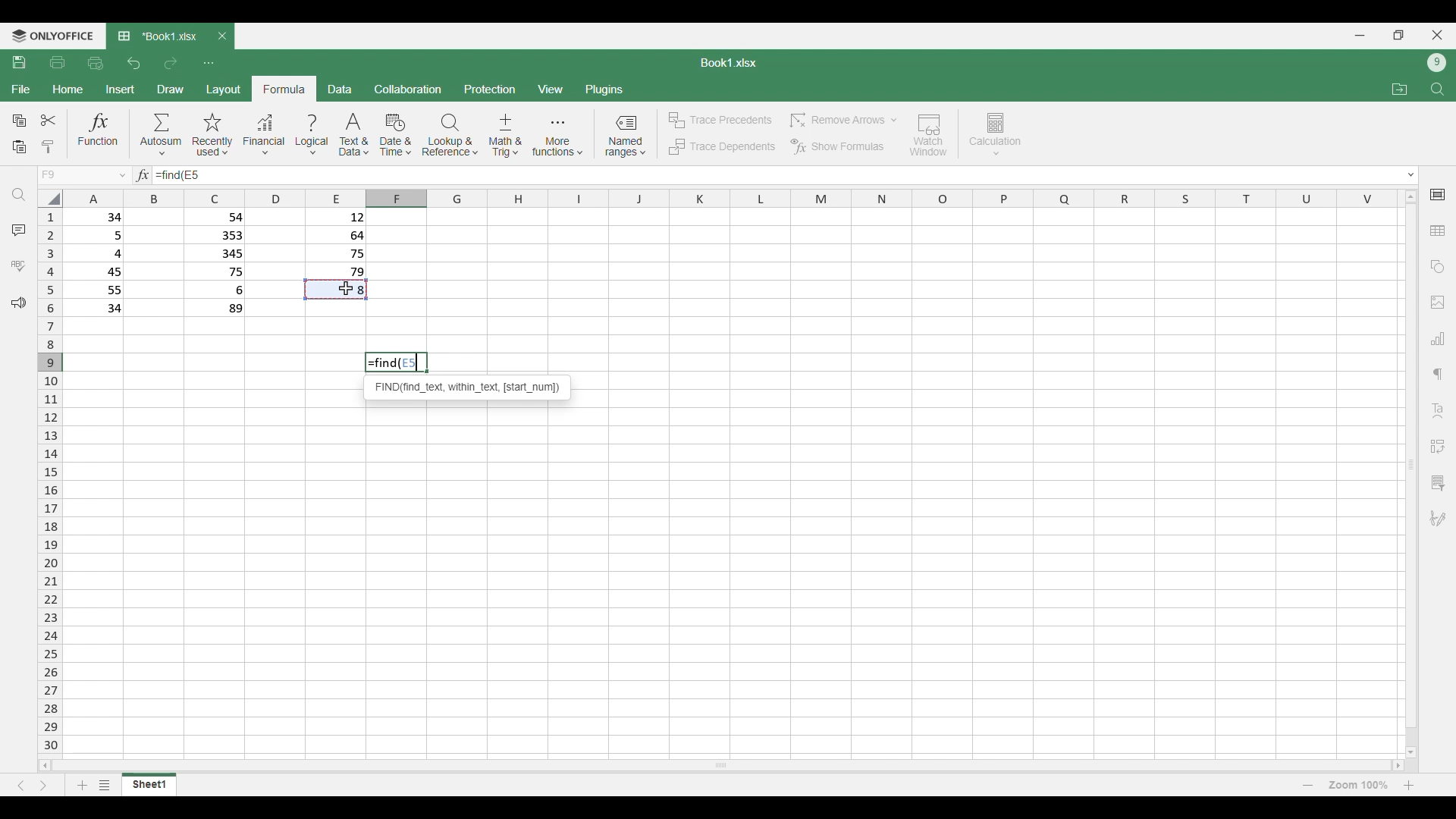  I want to click on Current tab, so click(158, 37).